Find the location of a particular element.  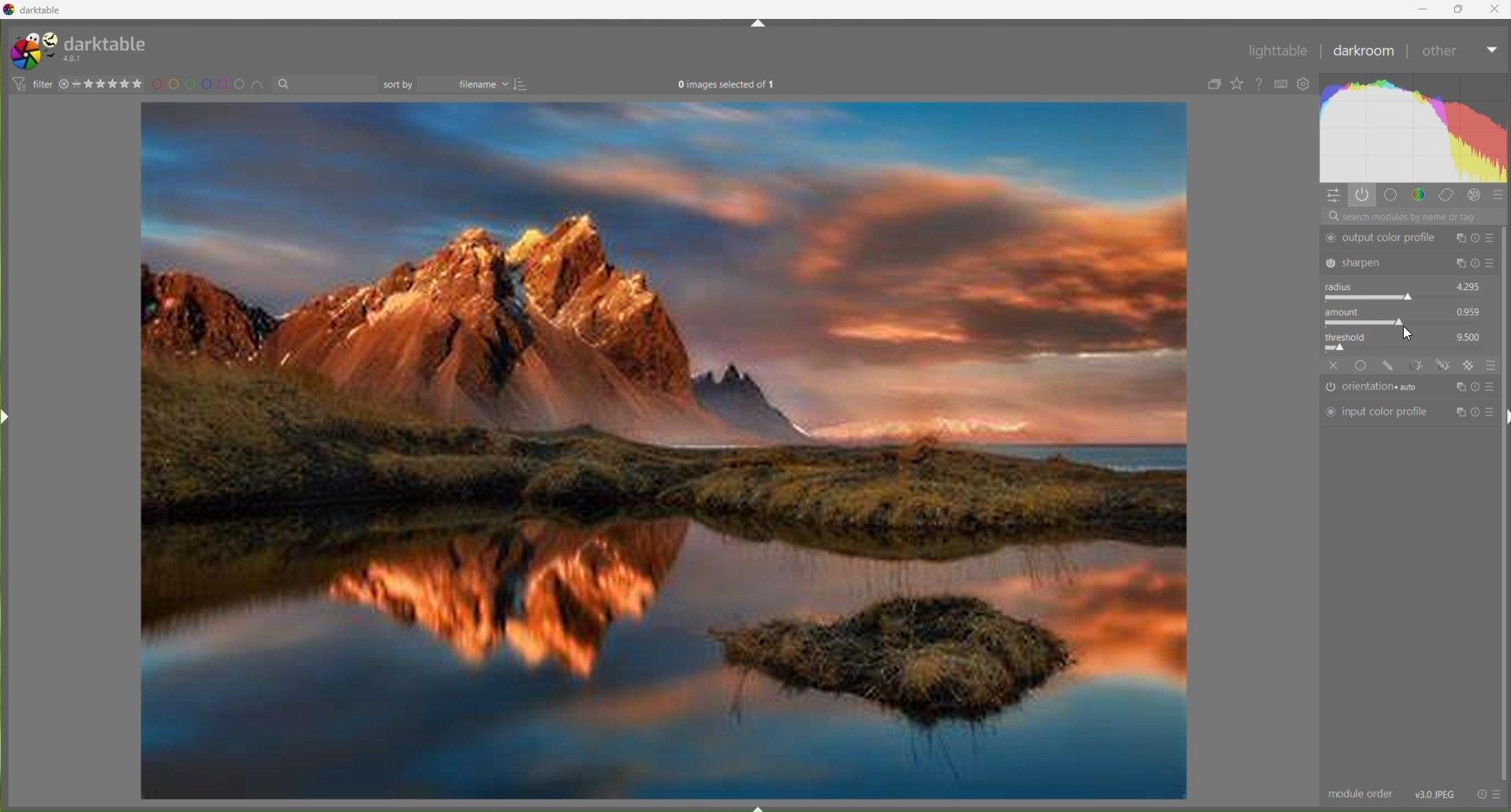

Collapse  is located at coordinates (758, 24).